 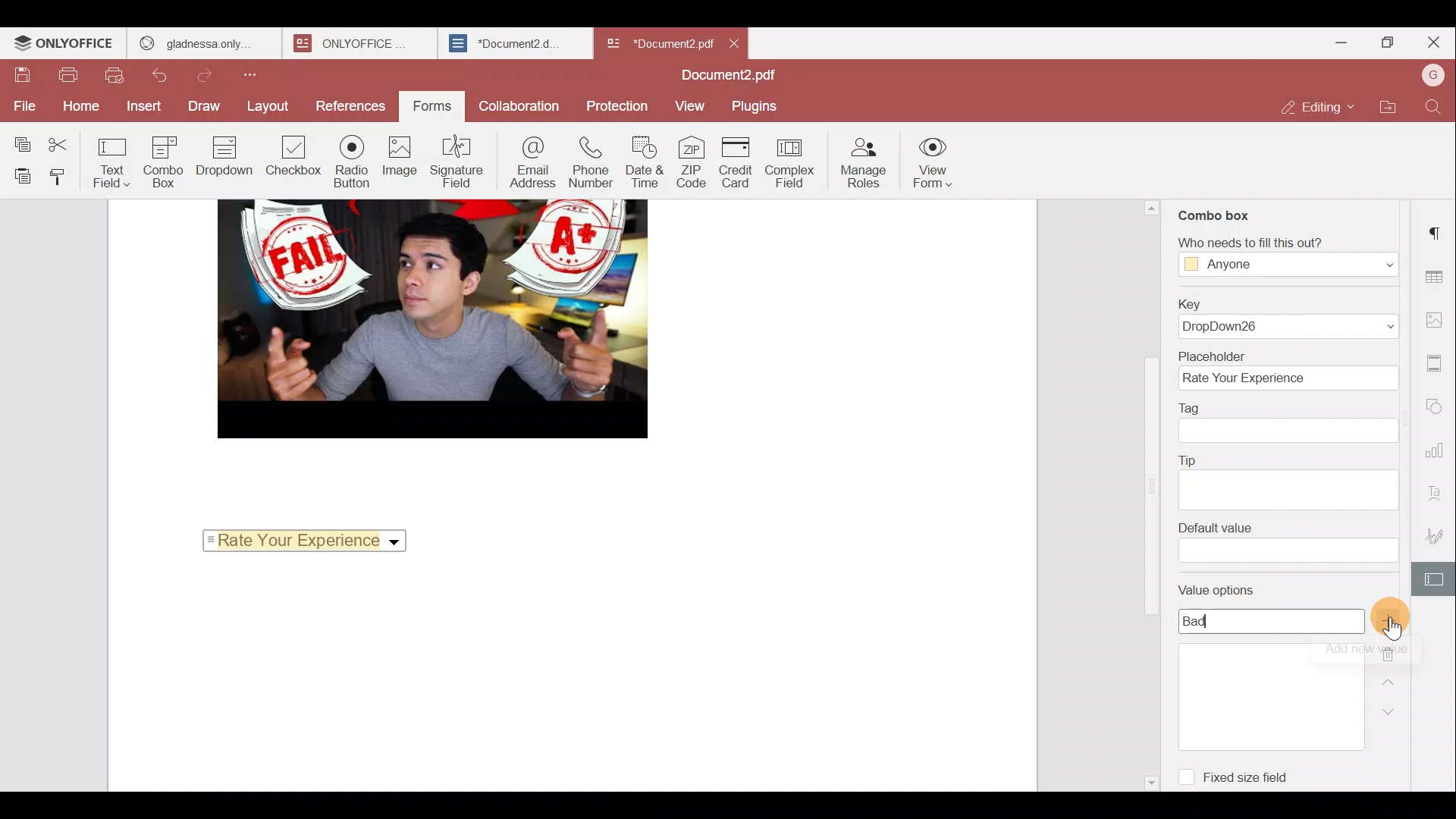 I want to click on View form, so click(x=934, y=159).